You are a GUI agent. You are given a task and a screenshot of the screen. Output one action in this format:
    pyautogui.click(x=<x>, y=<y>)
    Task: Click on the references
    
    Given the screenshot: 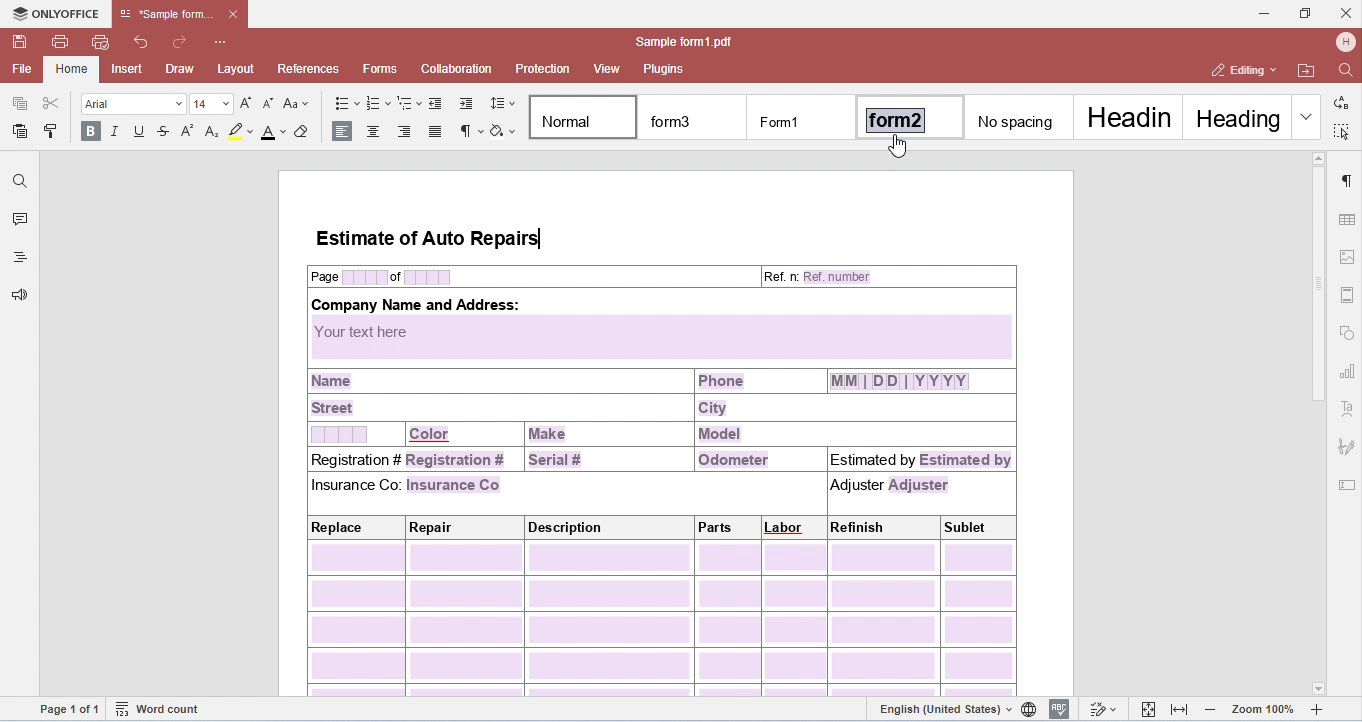 What is the action you would take?
    pyautogui.click(x=310, y=68)
    